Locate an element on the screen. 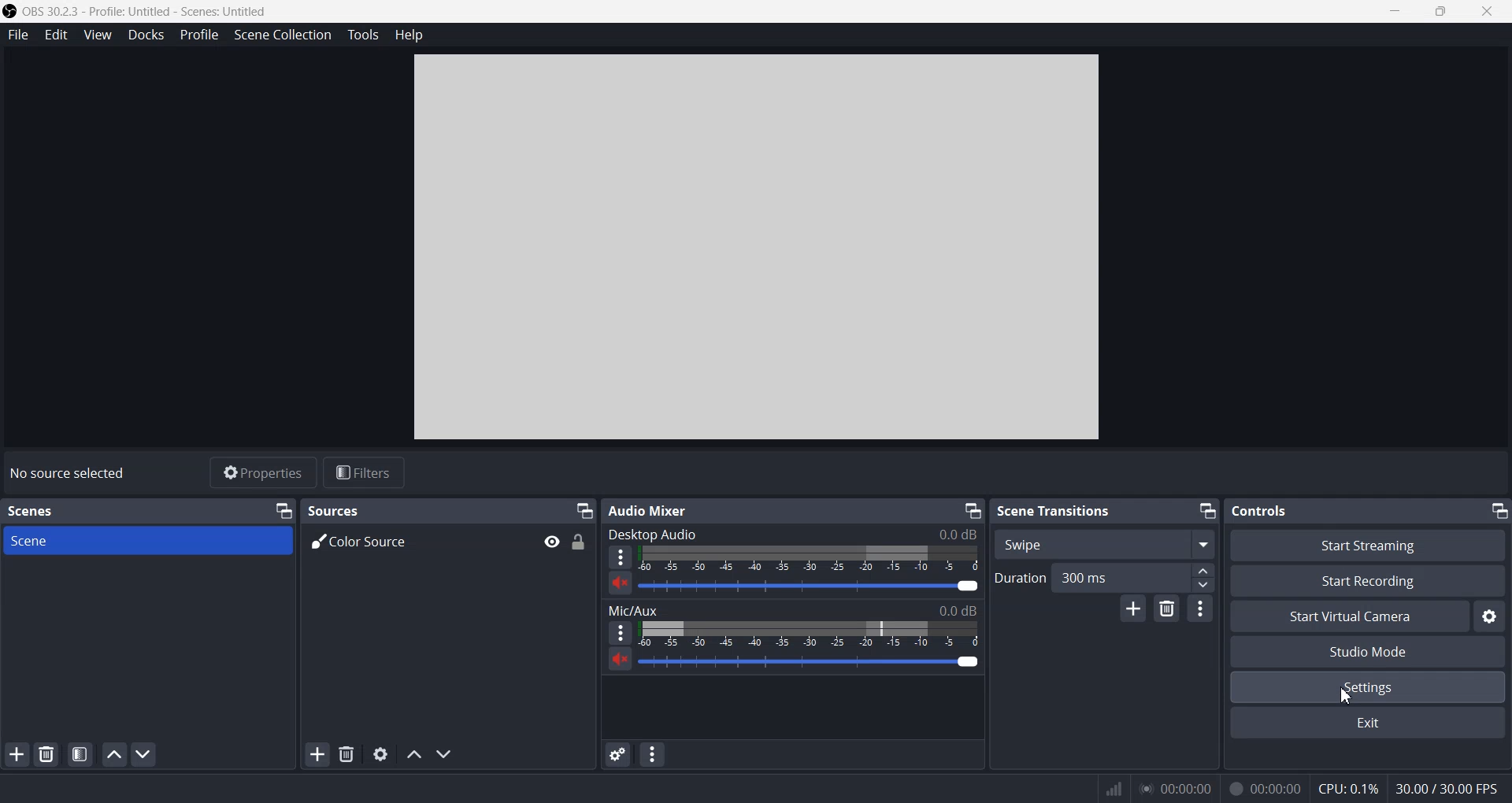 Image resolution: width=1512 pixels, height=803 pixels. Volume Adjuster is located at coordinates (812, 583).